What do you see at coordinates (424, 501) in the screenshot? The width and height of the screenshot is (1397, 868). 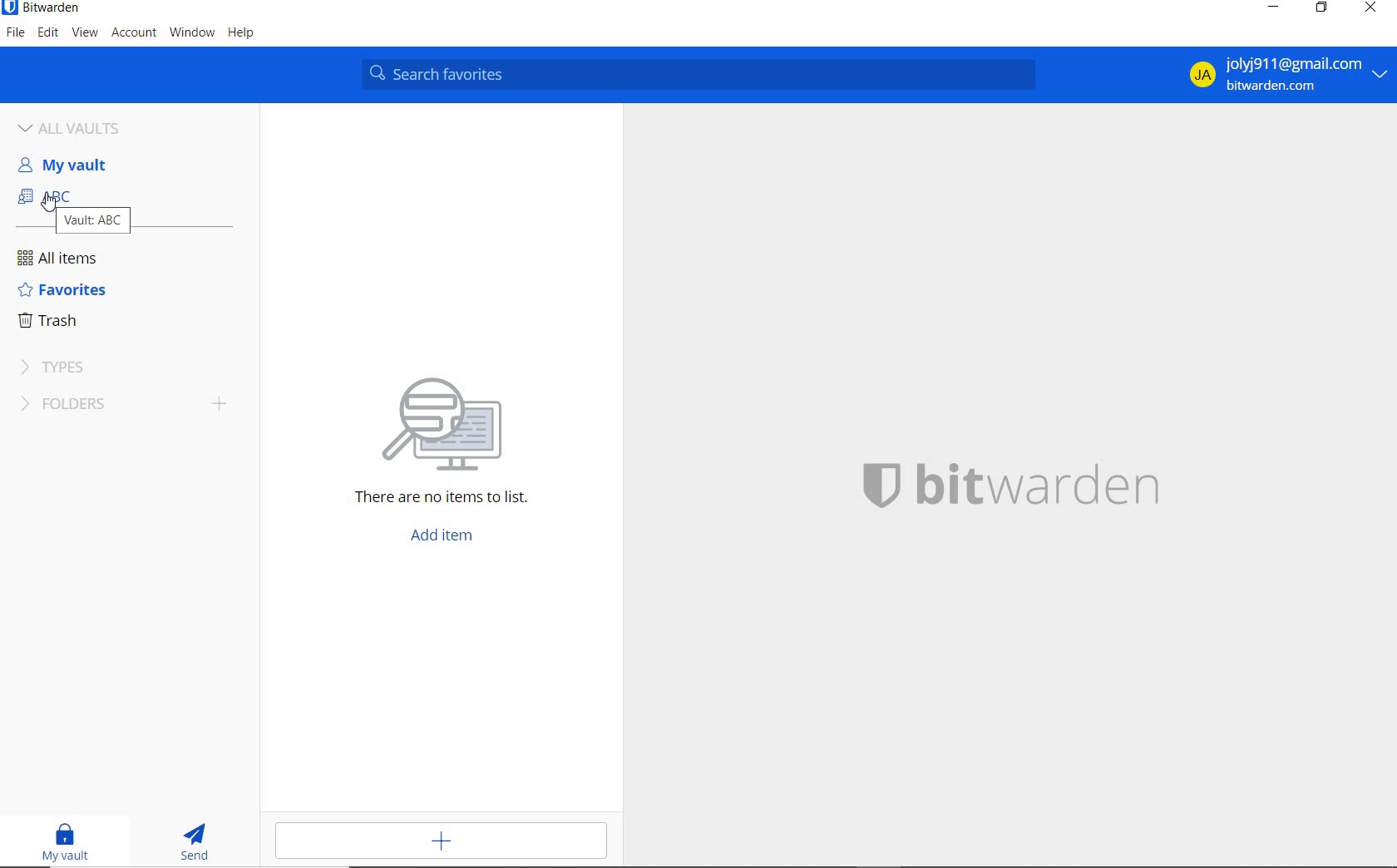 I see `There are no items to list` at bounding box center [424, 501].